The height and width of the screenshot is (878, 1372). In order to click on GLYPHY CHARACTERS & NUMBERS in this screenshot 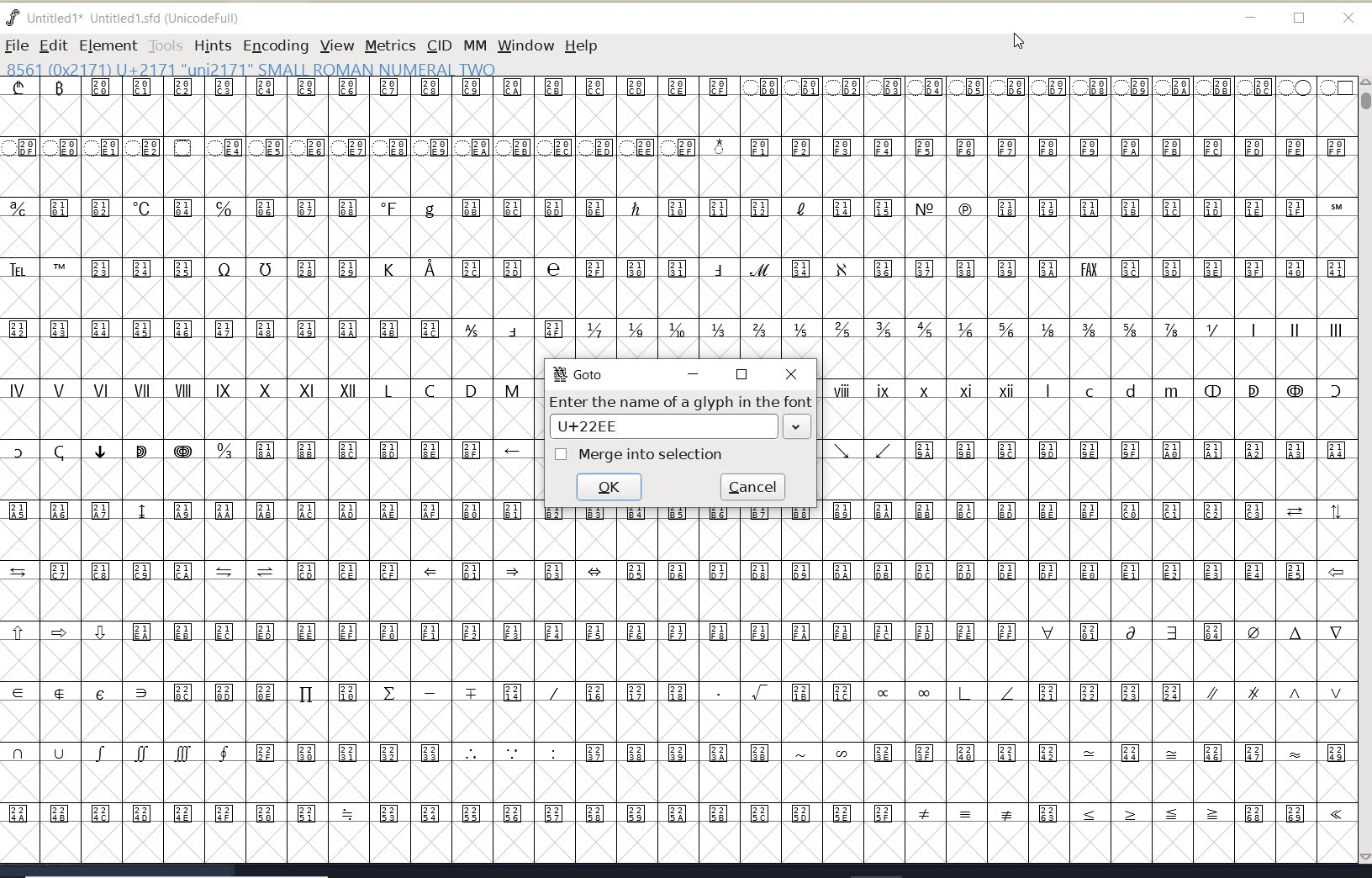, I will do `click(1083, 440)`.